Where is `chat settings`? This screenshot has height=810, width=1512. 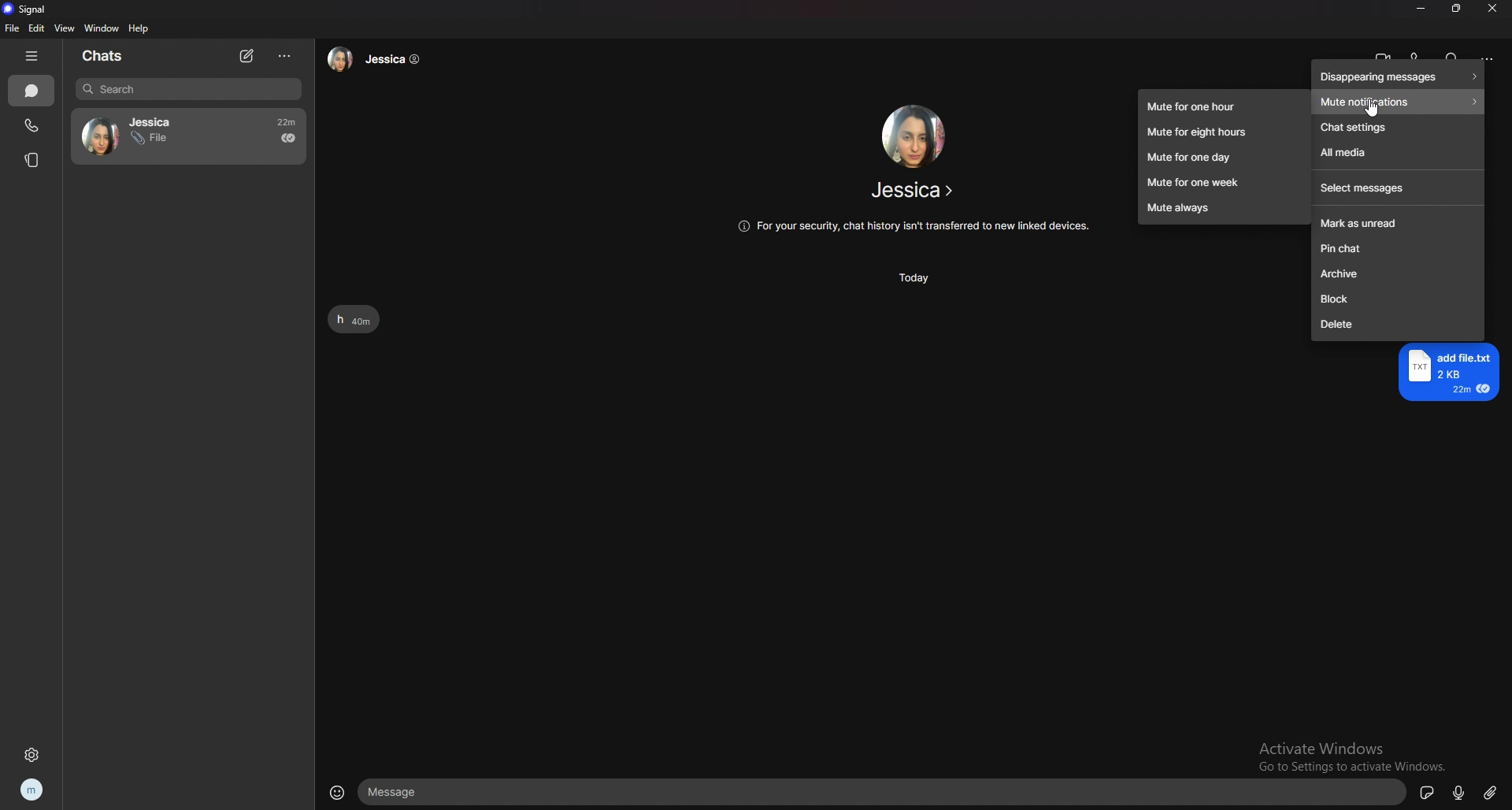
chat settings is located at coordinates (1399, 128).